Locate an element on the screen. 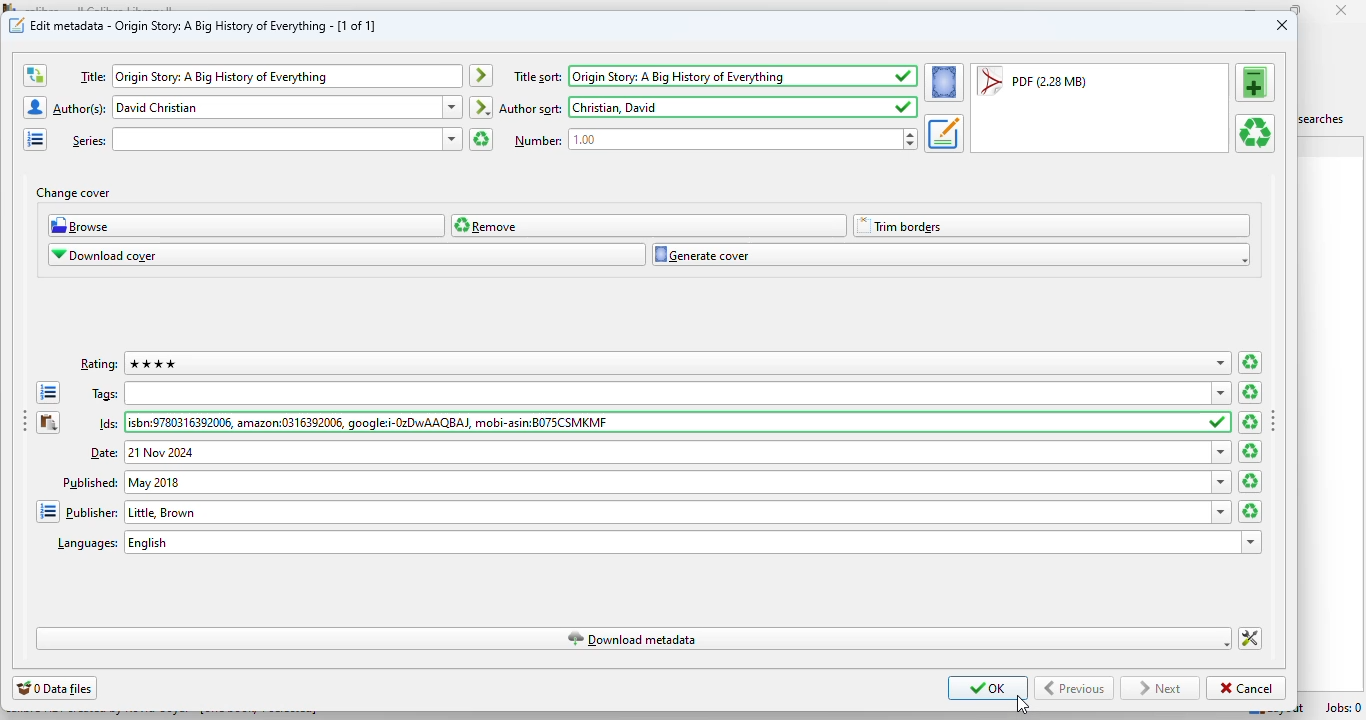 Image resolution: width=1366 pixels, height=720 pixels. generate cover is located at coordinates (951, 254).